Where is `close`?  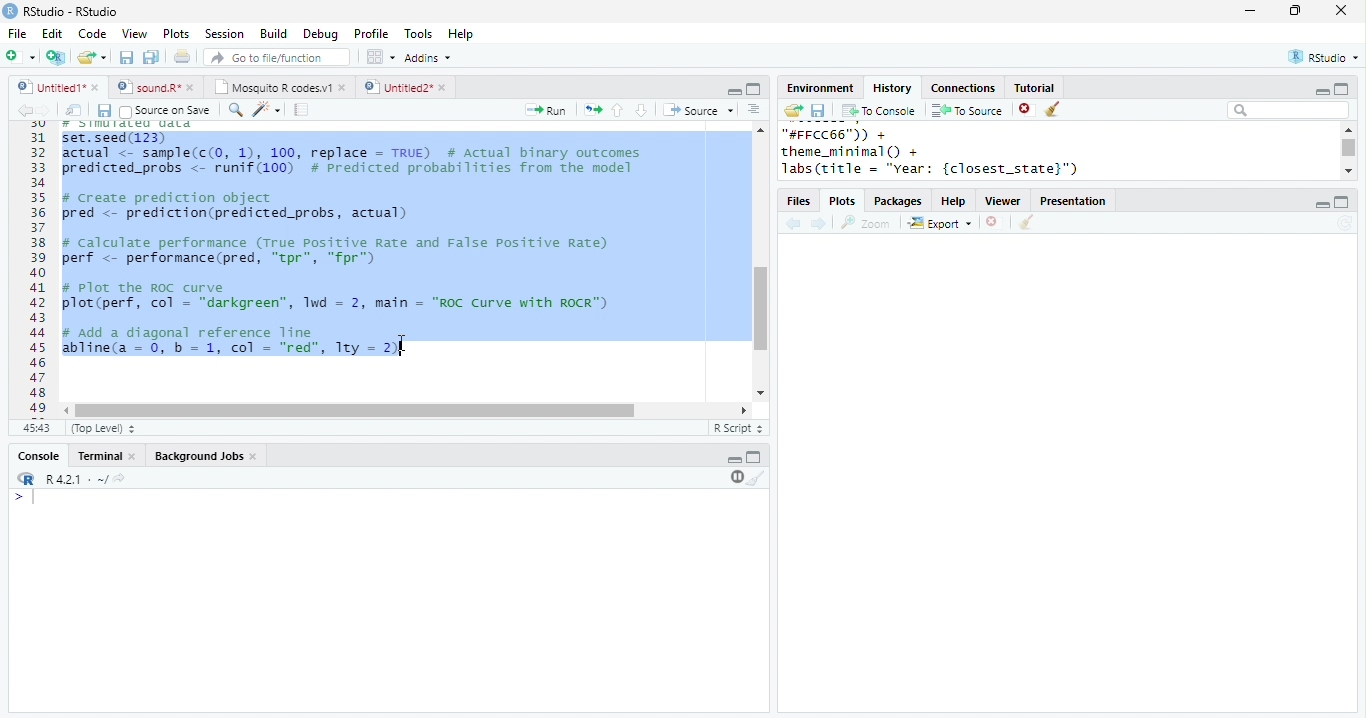
close is located at coordinates (97, 87).